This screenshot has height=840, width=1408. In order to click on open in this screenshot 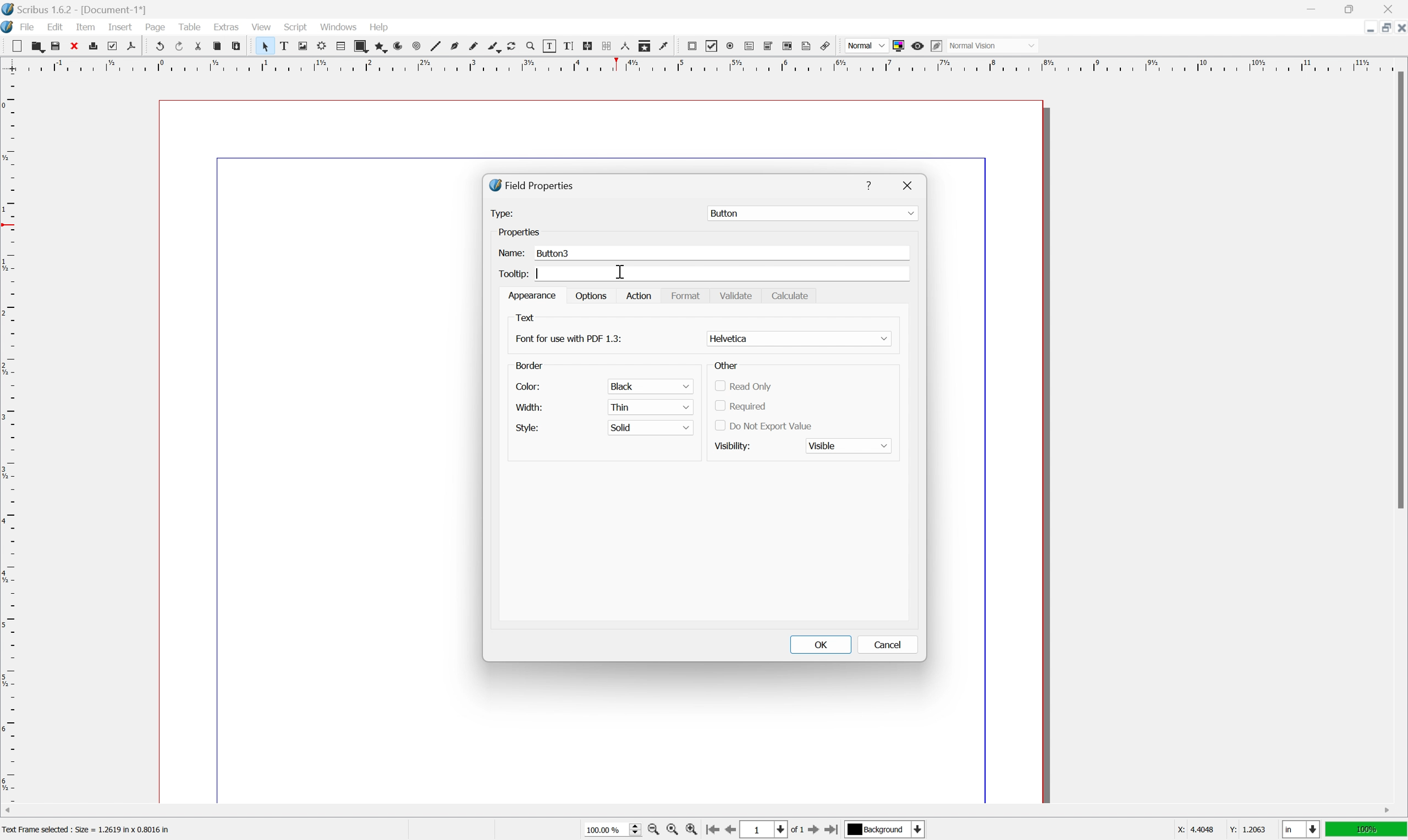, I will do `click(38, 48)`.